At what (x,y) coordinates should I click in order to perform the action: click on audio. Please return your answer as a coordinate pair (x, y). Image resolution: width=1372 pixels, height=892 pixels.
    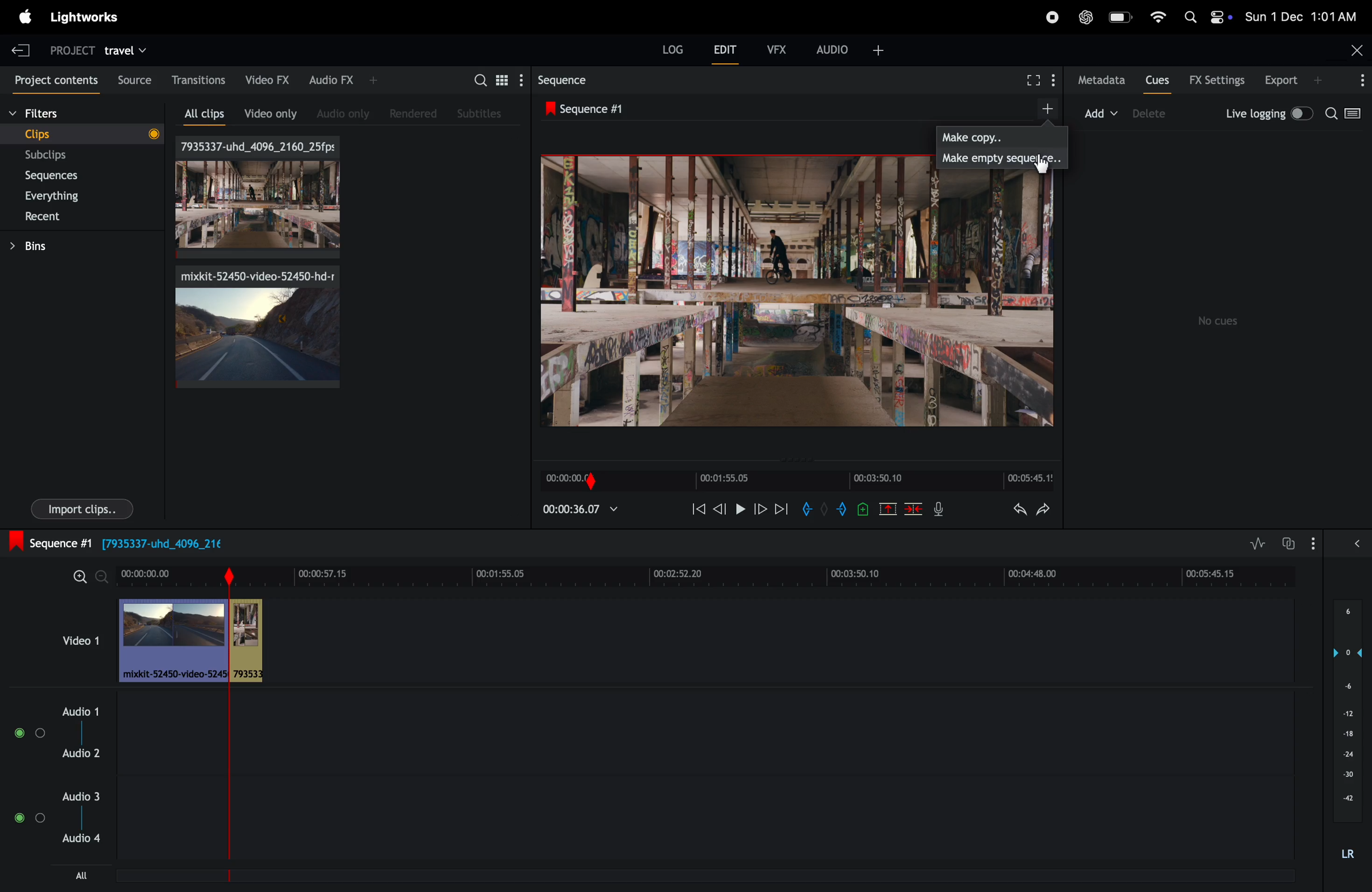
    Looking at the image, I should click on (852, 49).